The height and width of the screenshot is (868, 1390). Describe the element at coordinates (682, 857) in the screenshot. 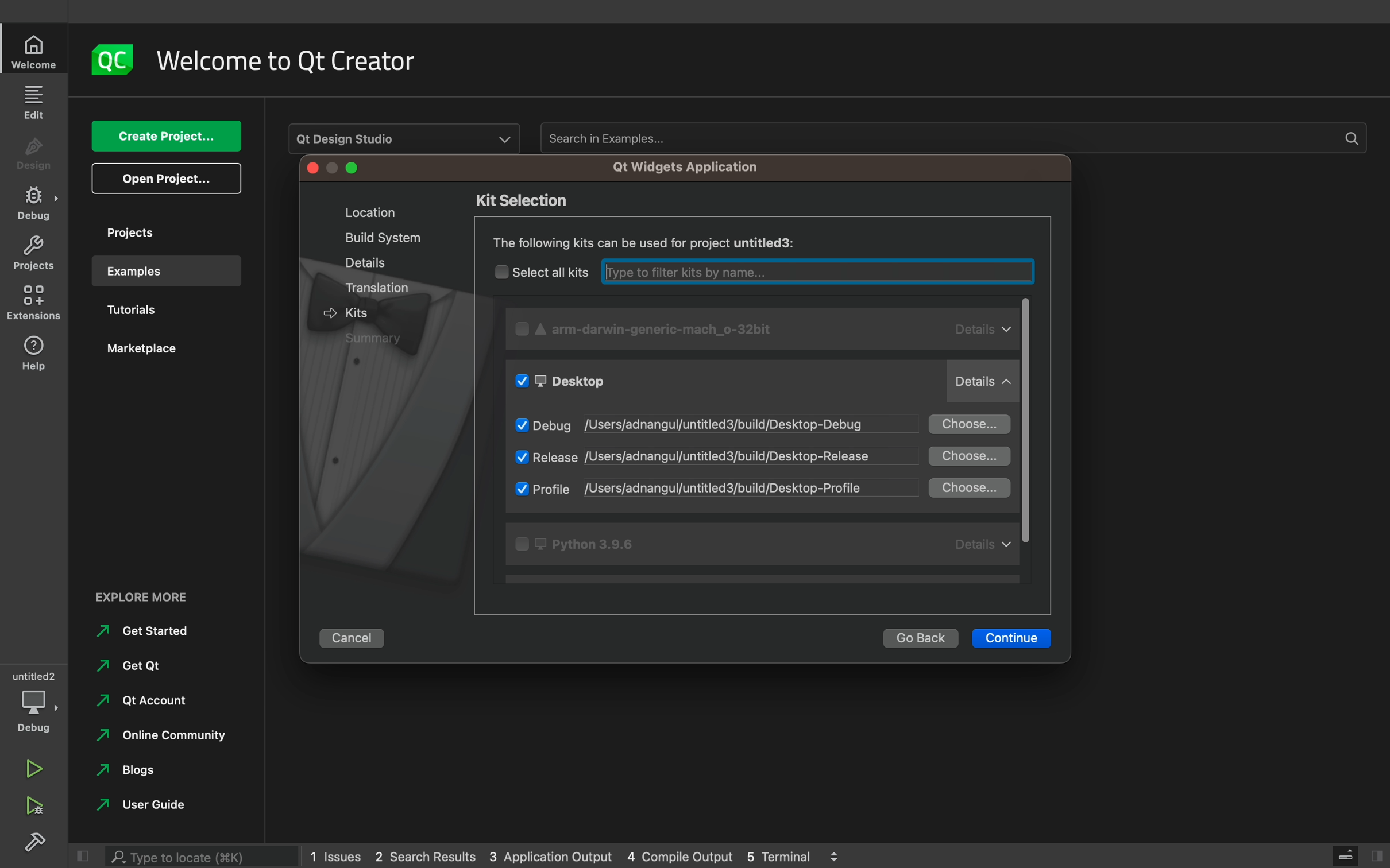

I see `4 console output` at that location.